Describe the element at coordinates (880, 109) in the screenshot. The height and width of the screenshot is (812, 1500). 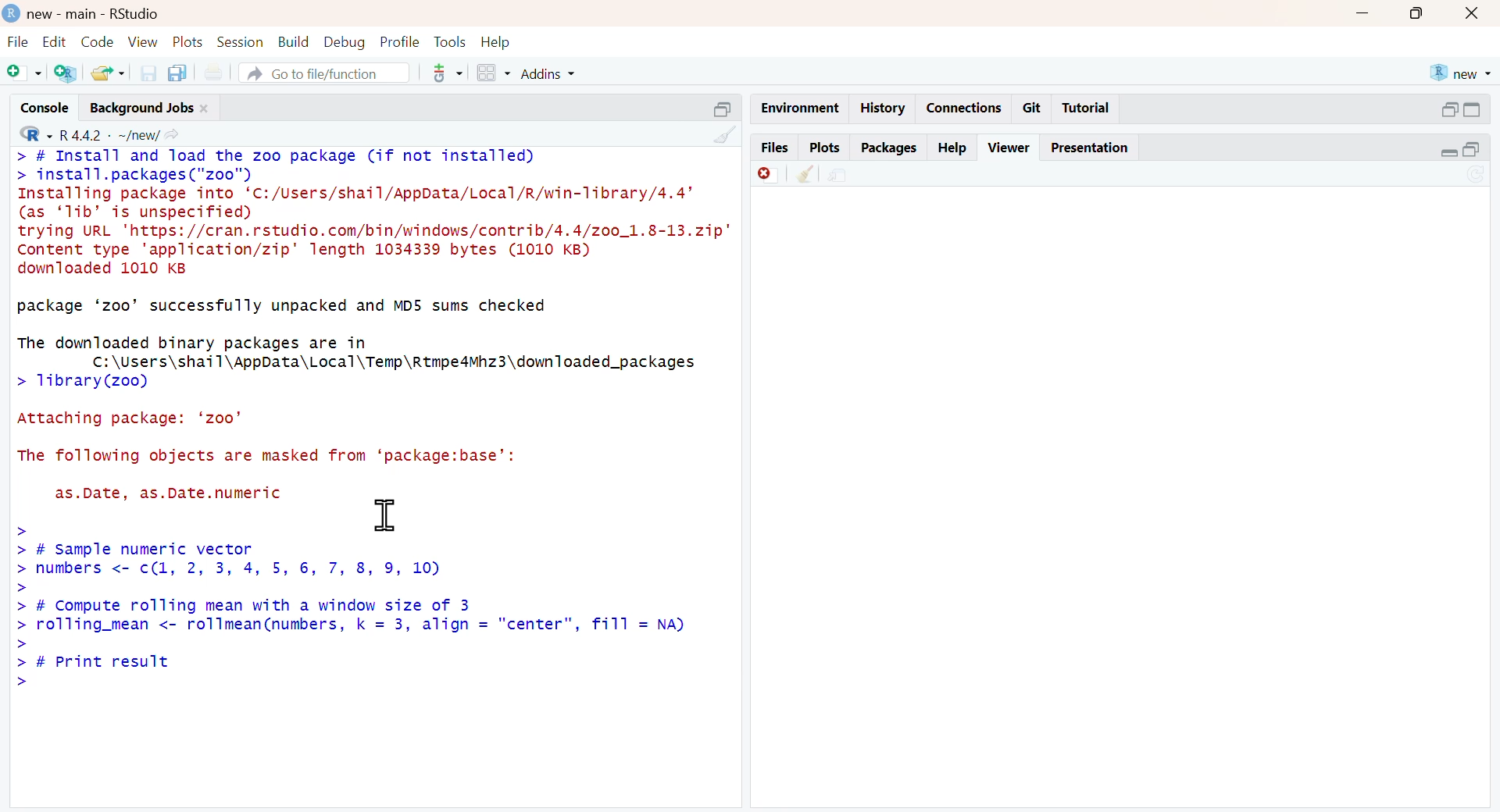
I see `history` at that location.